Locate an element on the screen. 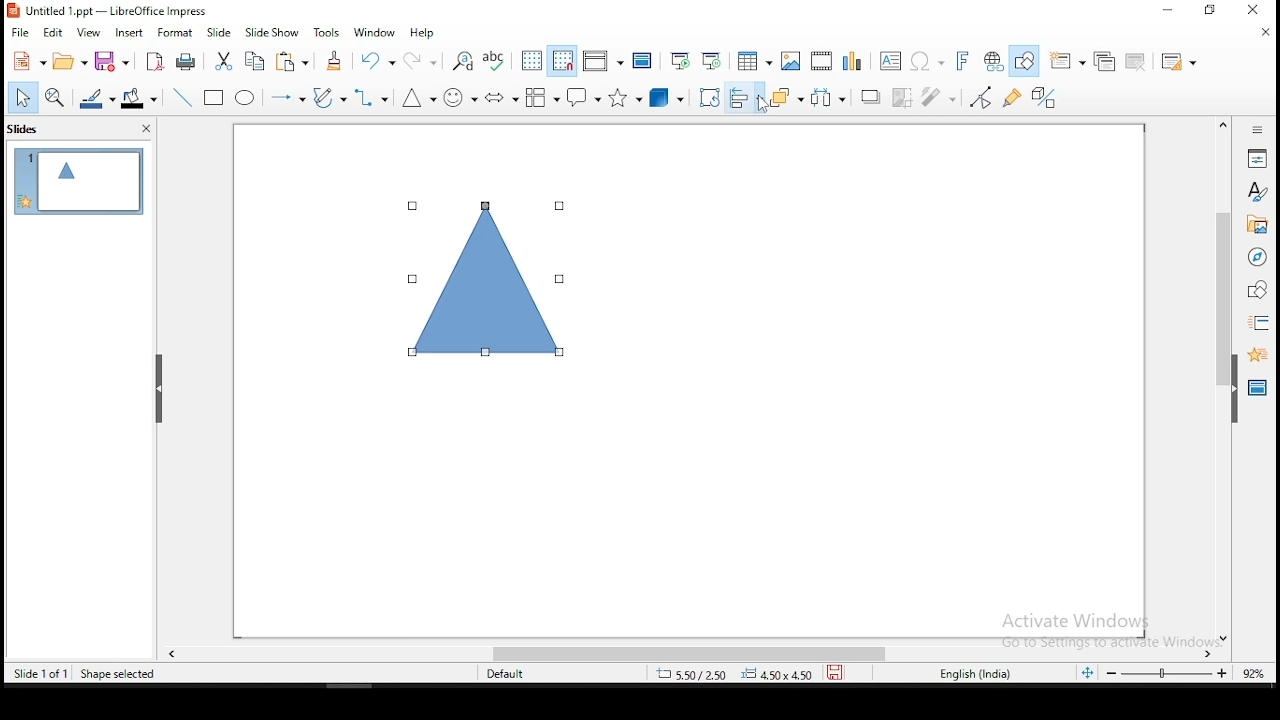 This screenshot has height=720, width=1280. stars and banners is located at coordinates (624, 98).